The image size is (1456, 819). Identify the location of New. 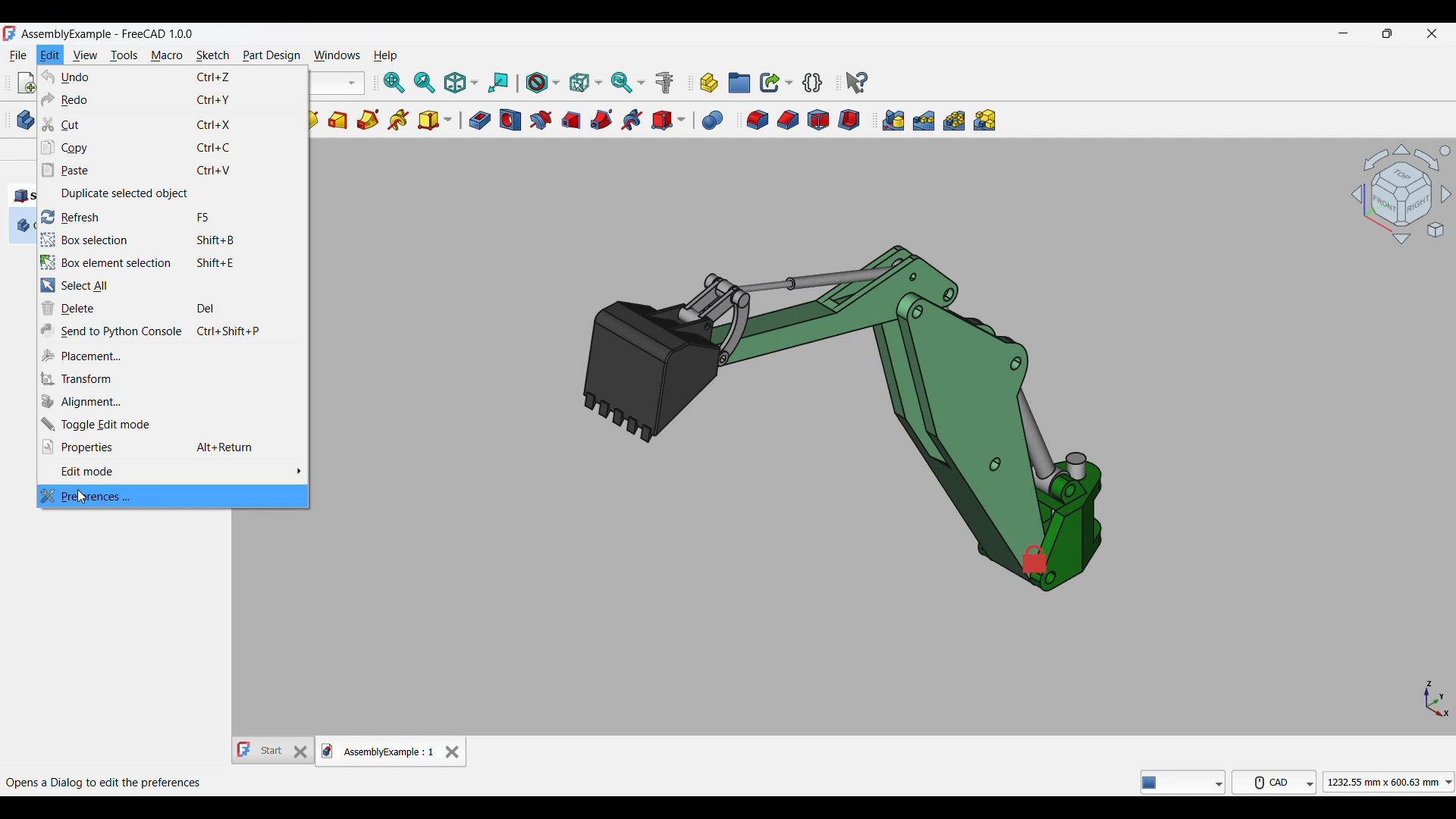
(27, 83).